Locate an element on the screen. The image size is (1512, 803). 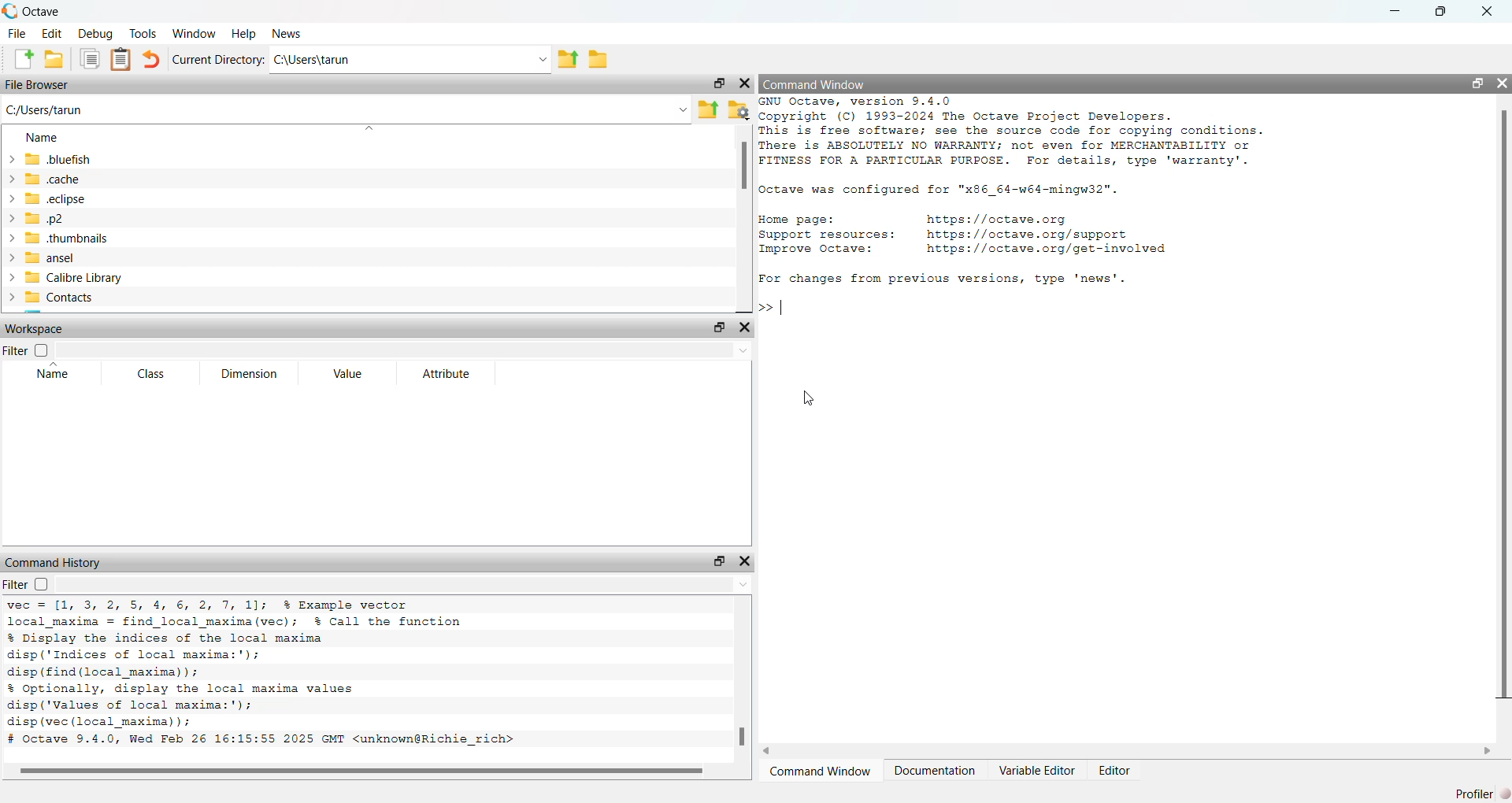
C:/Users/tarun is located at coordinates (58, 110).